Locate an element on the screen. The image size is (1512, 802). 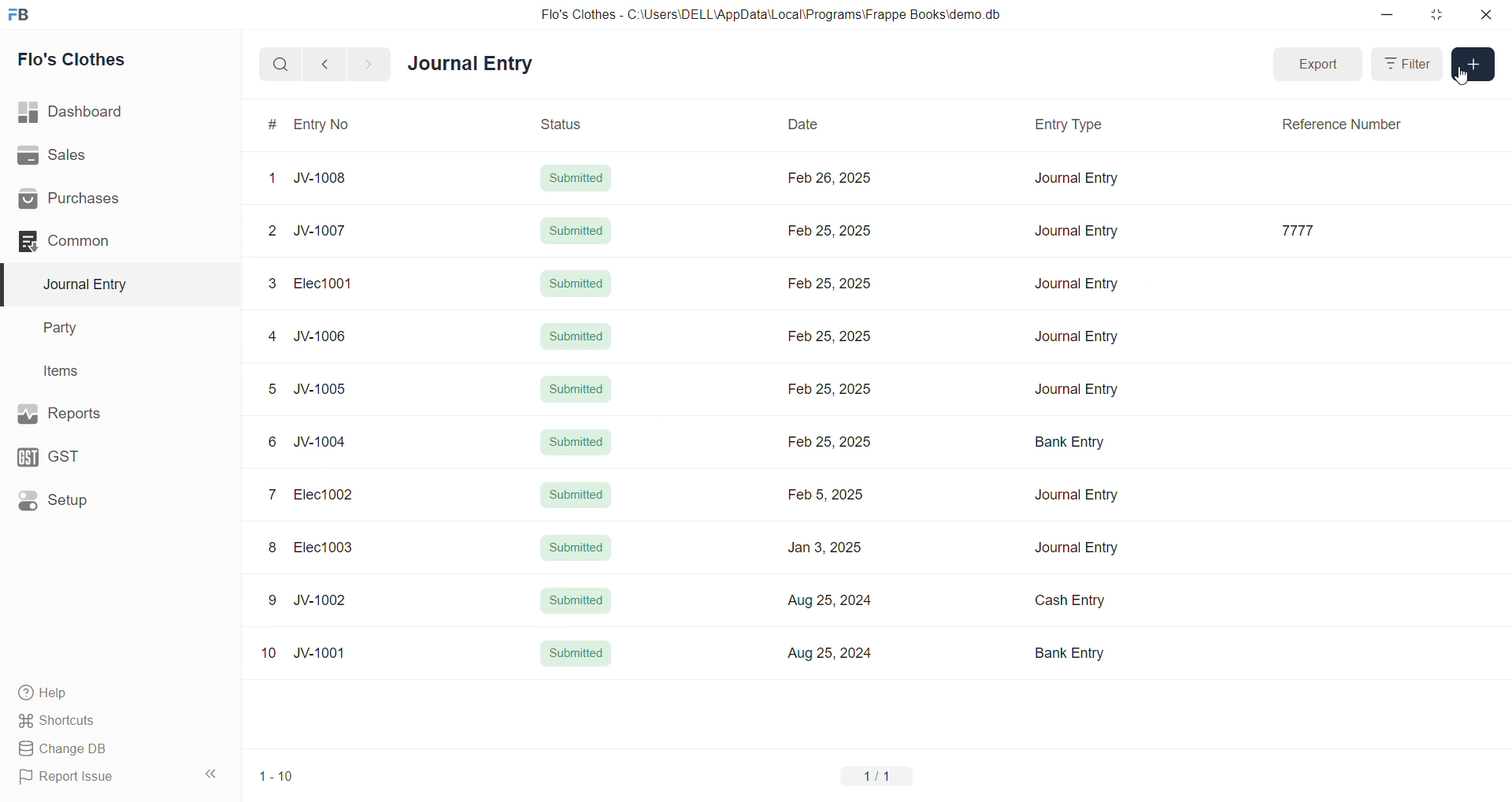
Journal Entry is located at coordinates (1077, 177).